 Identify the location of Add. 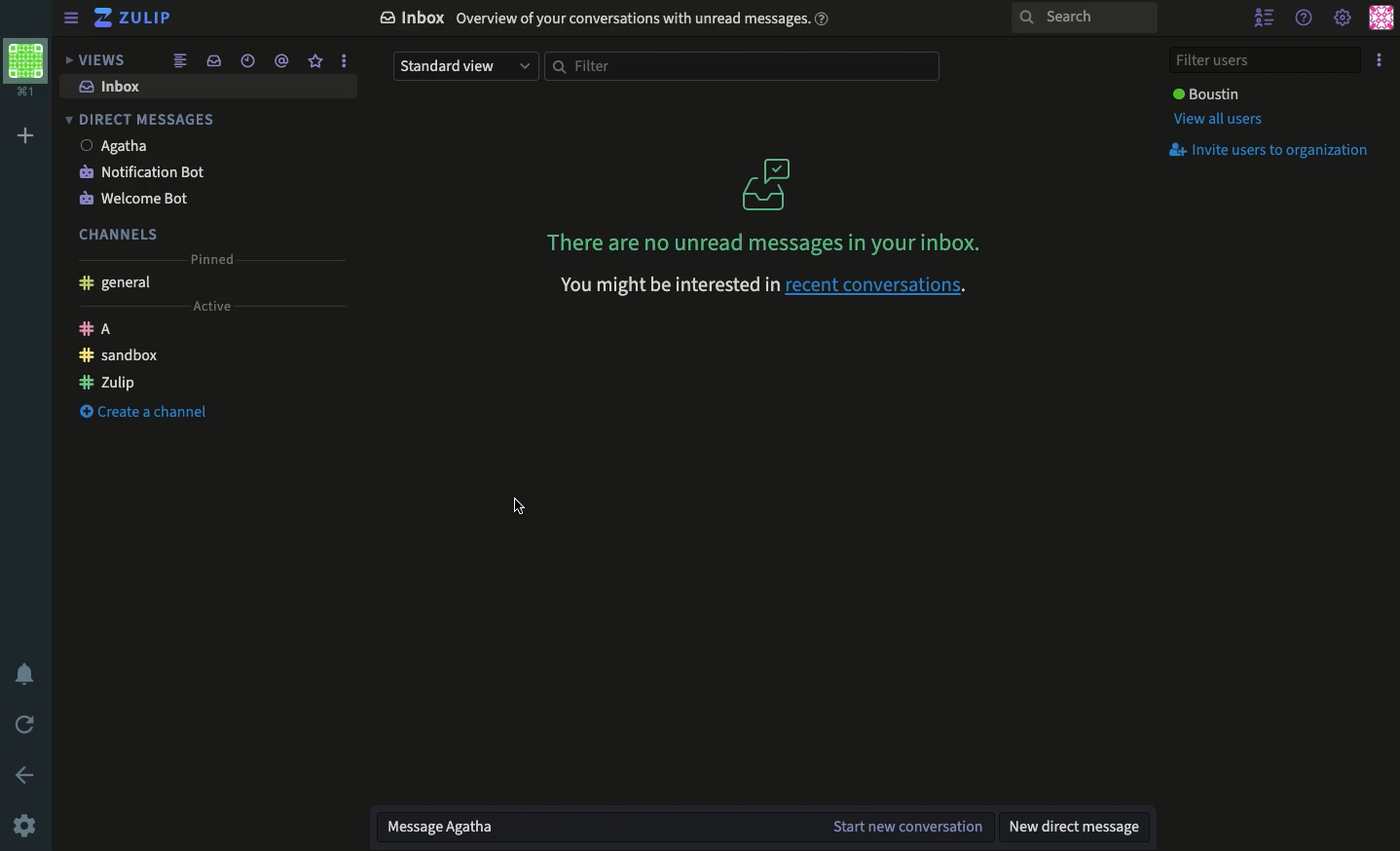
(27, 138).